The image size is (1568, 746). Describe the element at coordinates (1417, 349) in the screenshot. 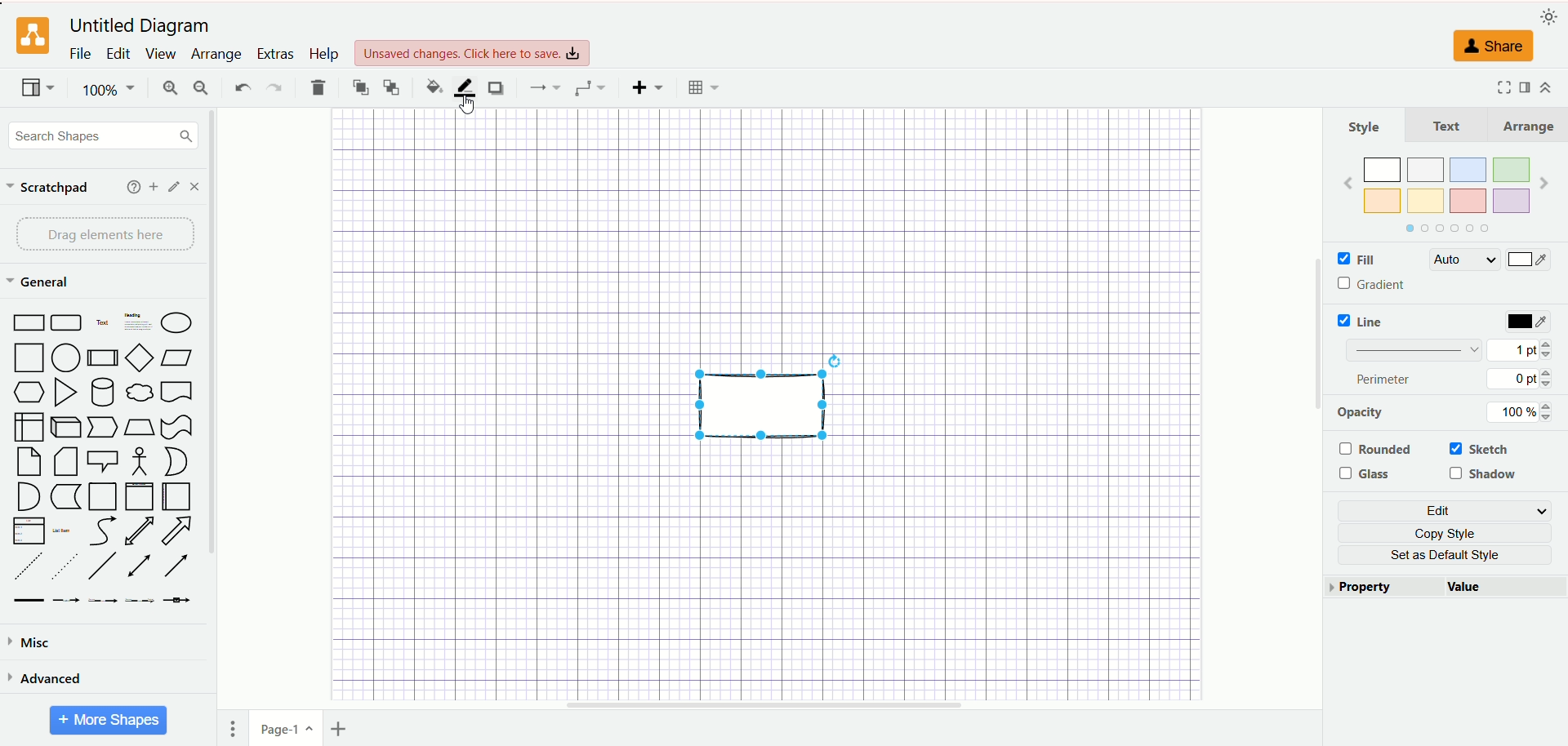

I see `pattern` at that location.